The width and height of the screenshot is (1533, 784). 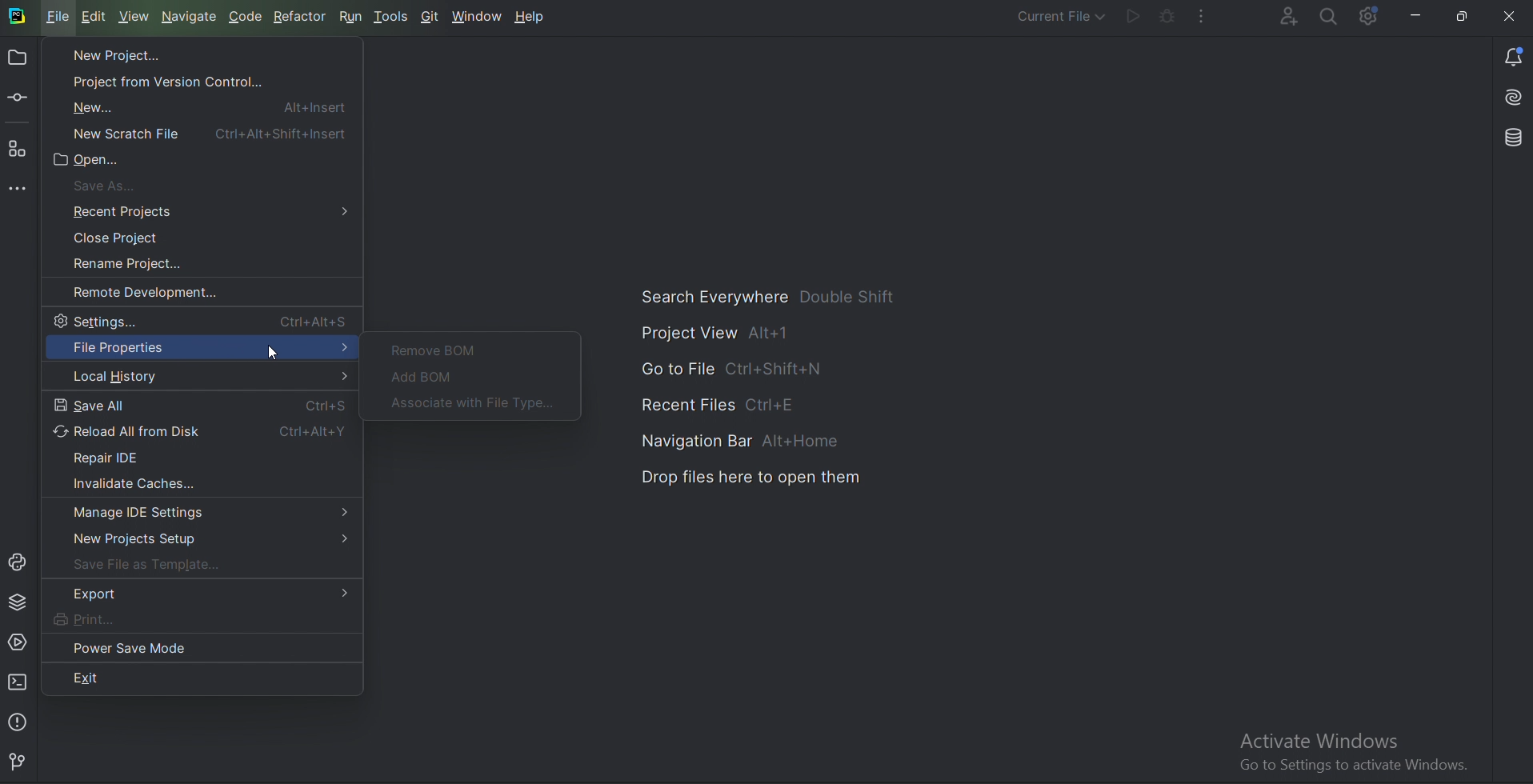 I want to click on Git, so click(x=23, y=760).